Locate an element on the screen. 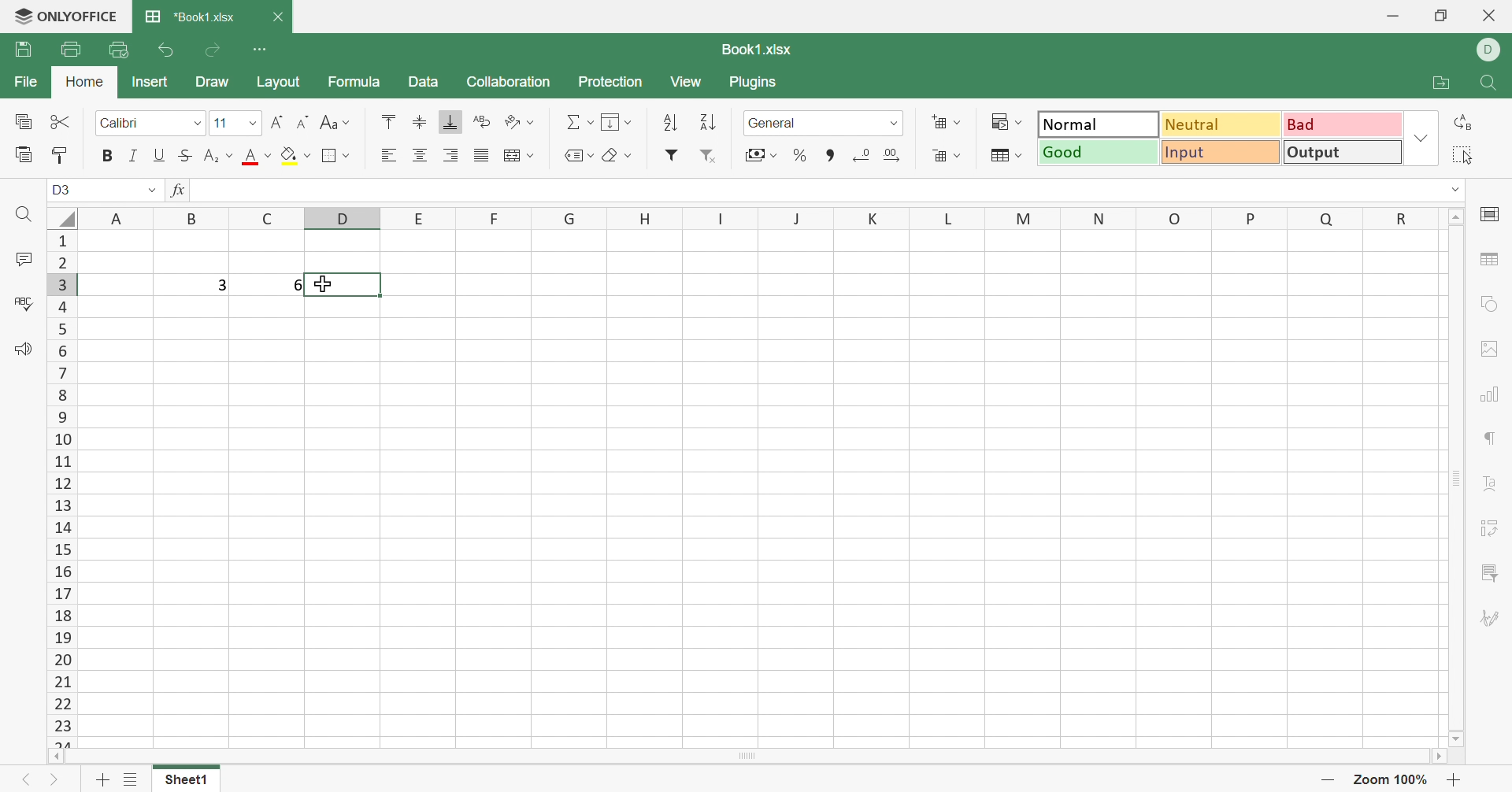 This screenshot has height=792, width=1512. Bad is located at coordinates (1343, 128).